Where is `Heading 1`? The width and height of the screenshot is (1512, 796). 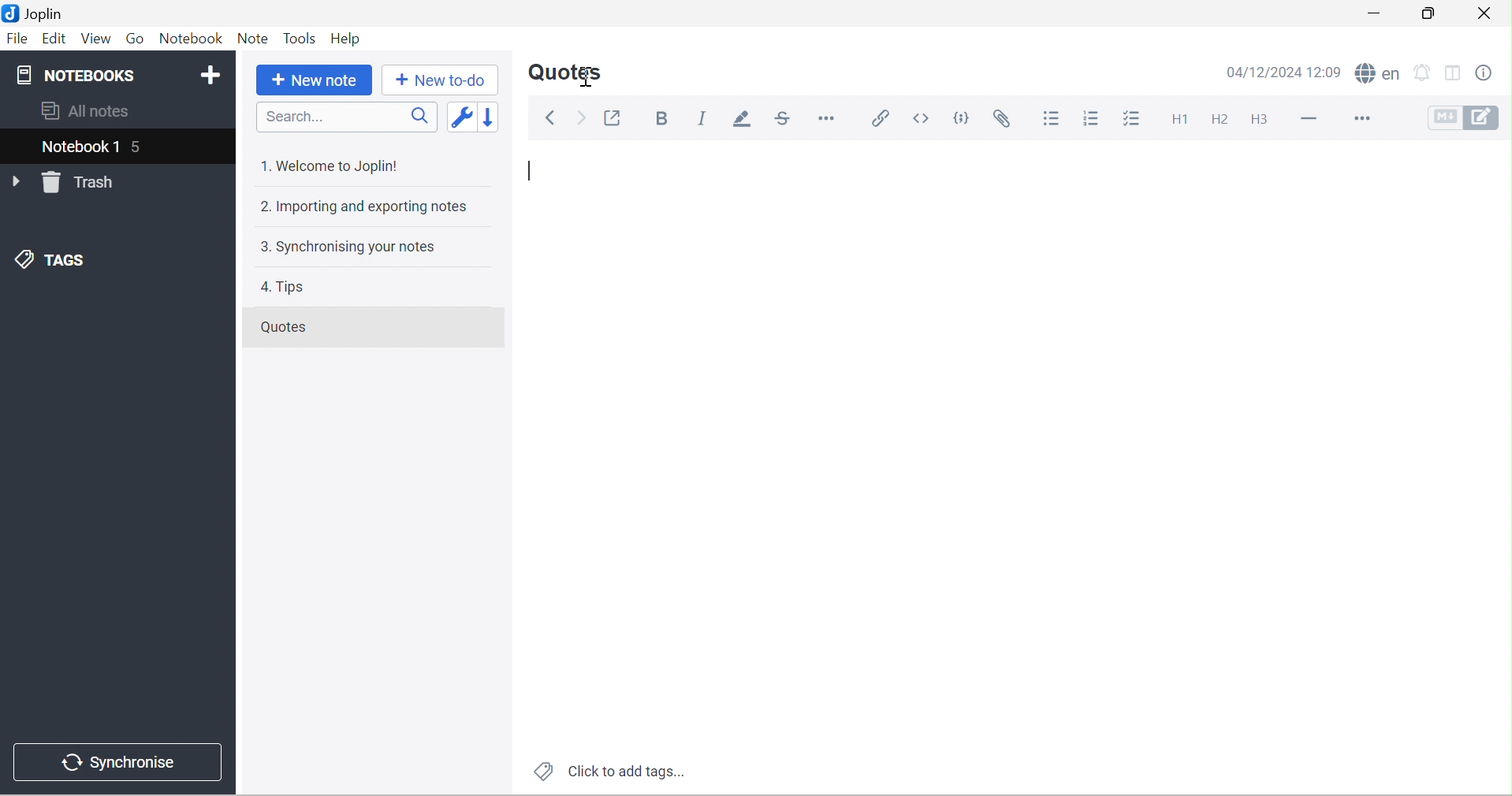 Heading 1 is located at coordinates (1178, 122).